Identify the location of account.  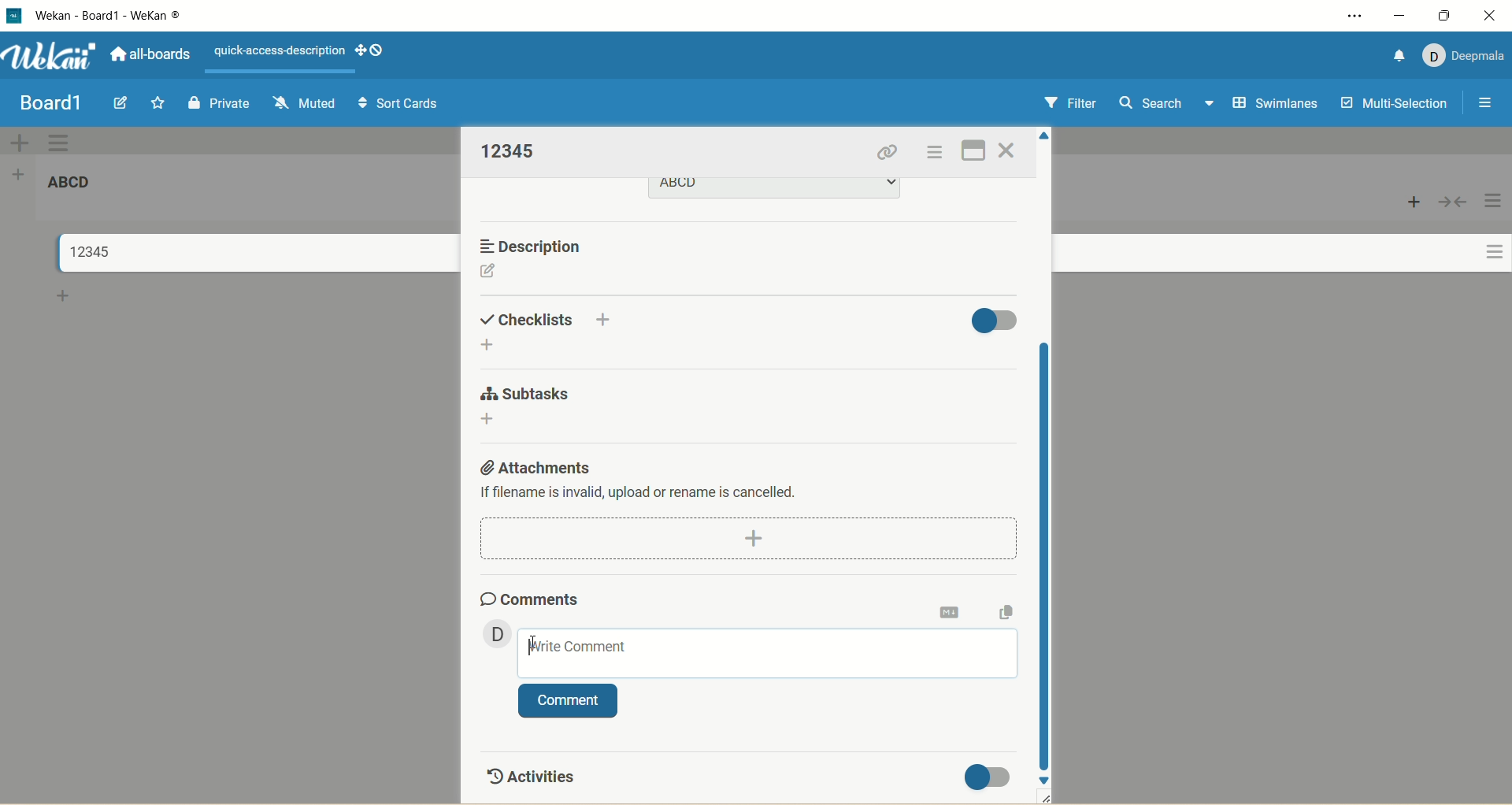
(1463, 52).